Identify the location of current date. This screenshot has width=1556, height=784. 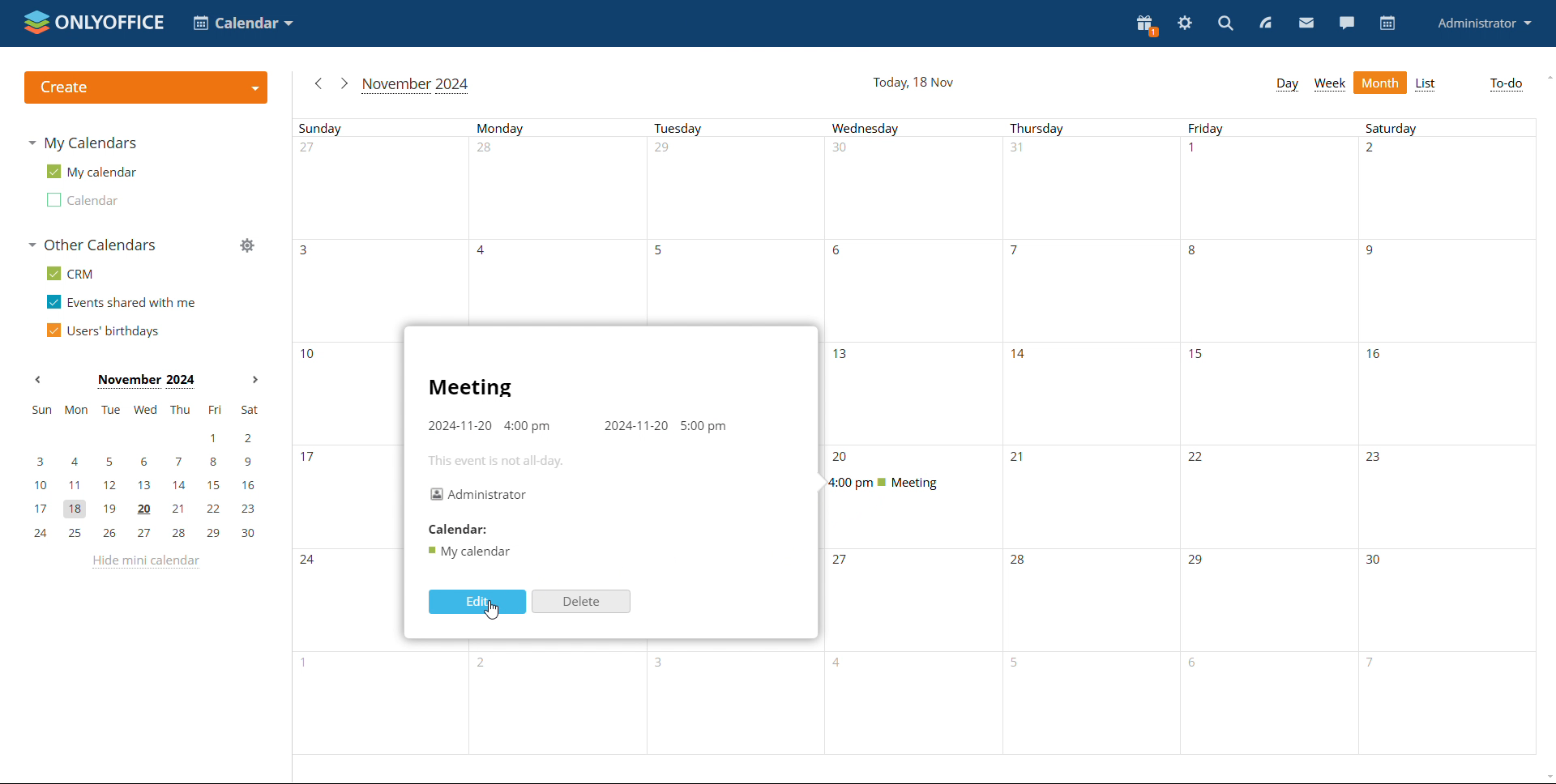
(914, 83).